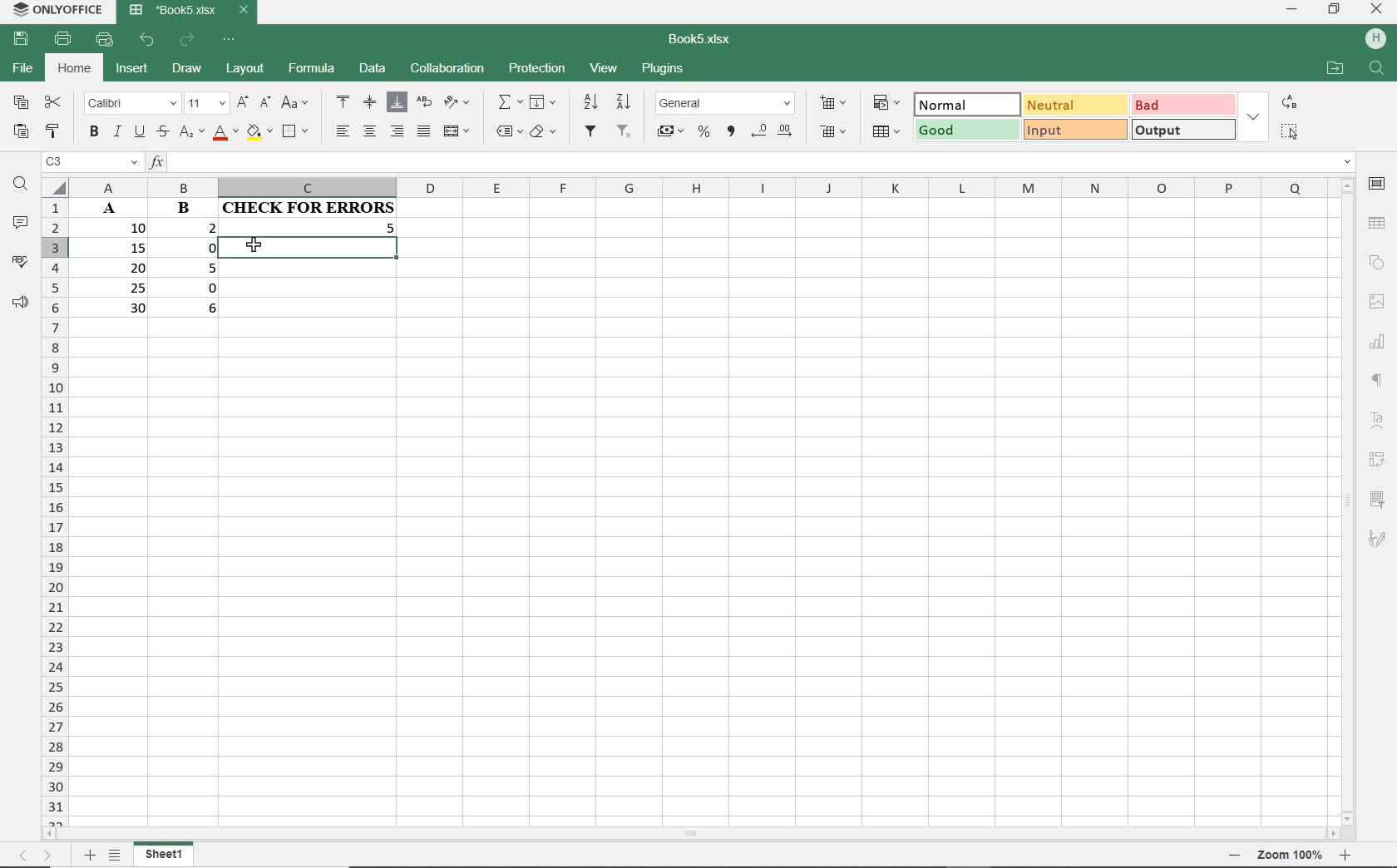 The height and width of the screenshot is (868, 1397). What do you see at coordinates (700, 38) in the screenshot?
I see `DOCUMENT NAME` at bounding box center [700, 38].